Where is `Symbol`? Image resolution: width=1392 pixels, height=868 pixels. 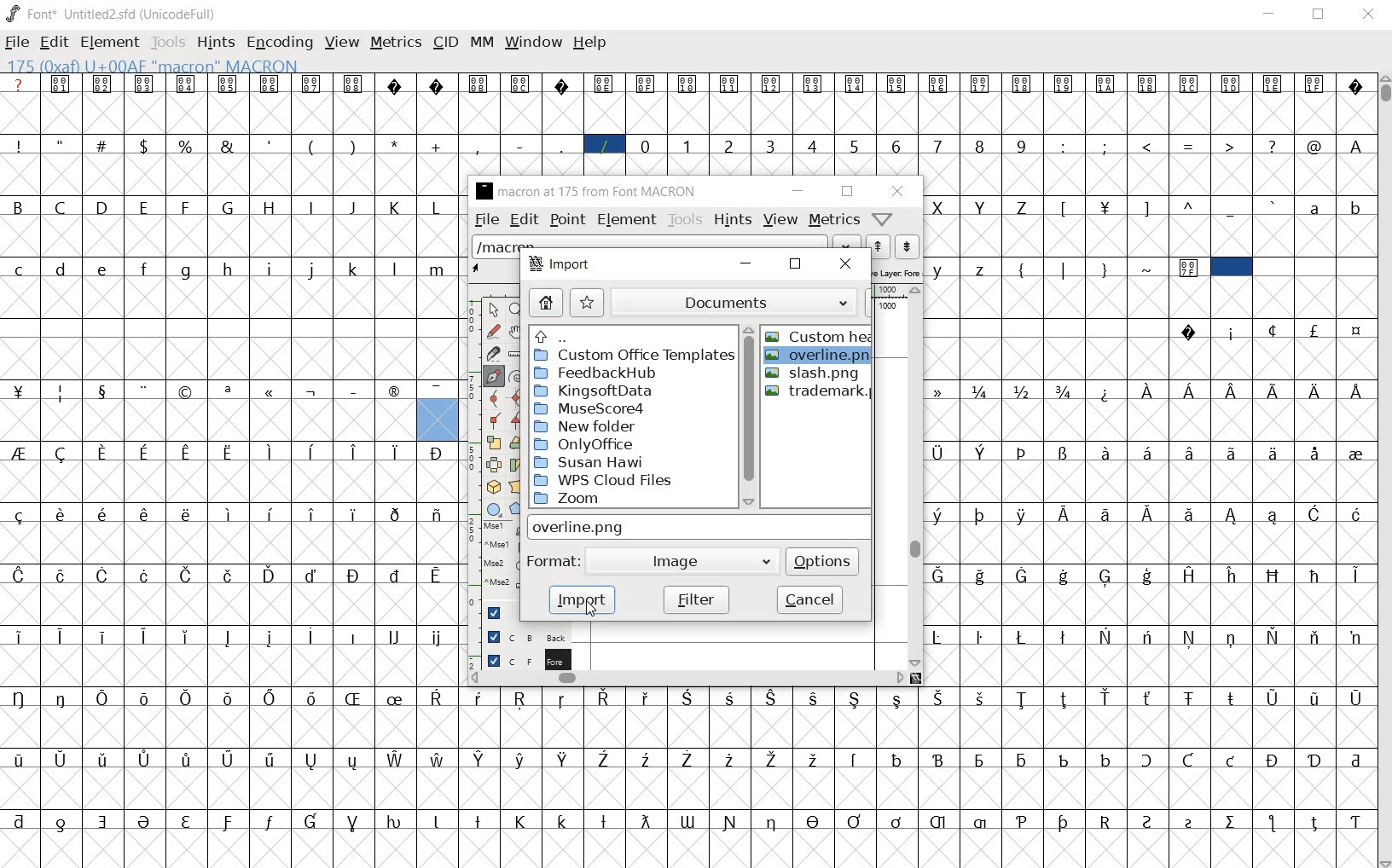 Symbol is located at coordinates (1024, 454).